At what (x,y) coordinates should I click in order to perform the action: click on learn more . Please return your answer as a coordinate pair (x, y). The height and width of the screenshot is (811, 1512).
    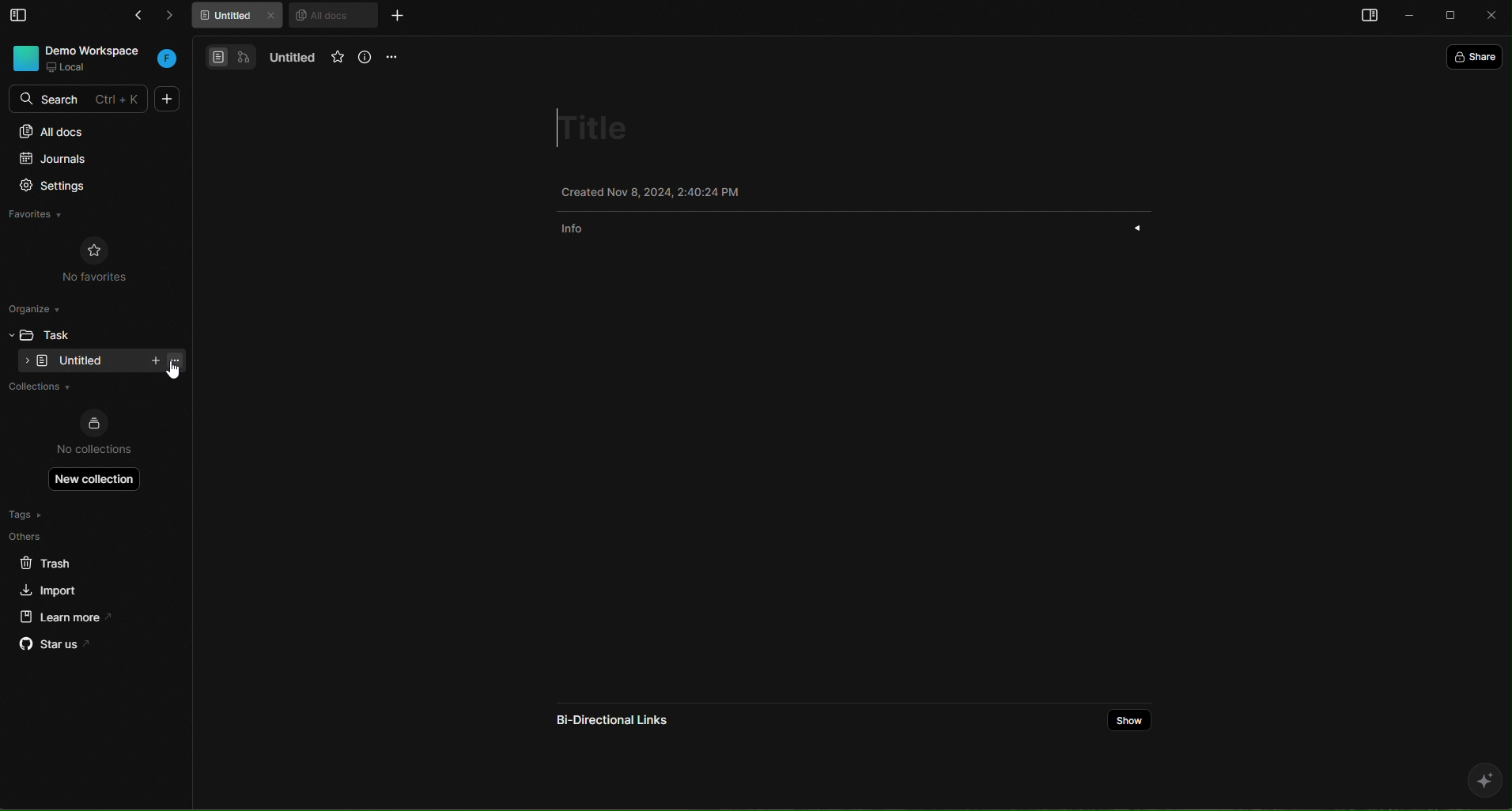
    Looking at the image, I should click on (60, 616).